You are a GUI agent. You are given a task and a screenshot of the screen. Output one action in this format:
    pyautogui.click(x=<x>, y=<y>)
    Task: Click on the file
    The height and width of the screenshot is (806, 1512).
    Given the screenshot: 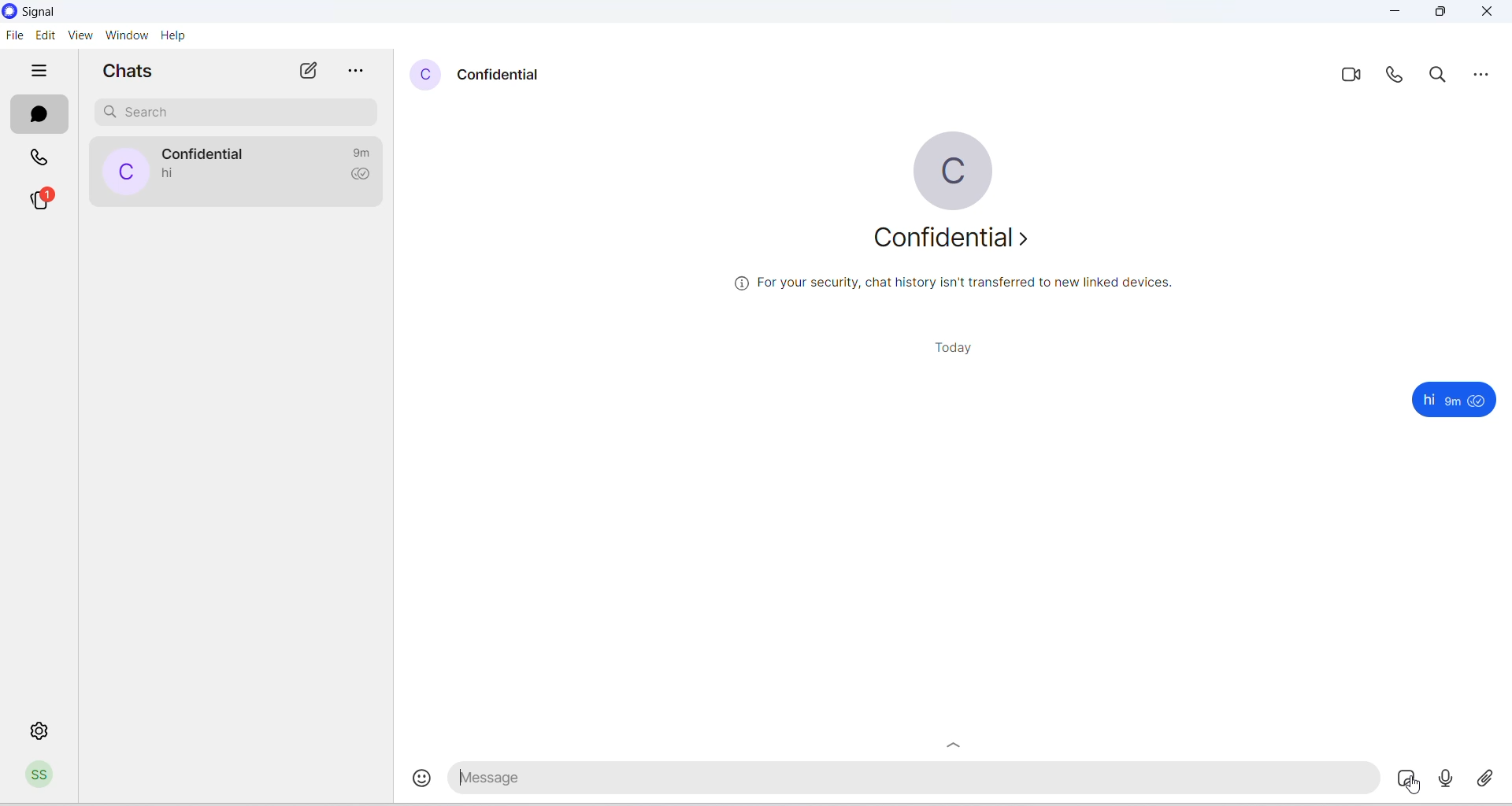 What is the action you would take?
    pyautogui.click(x=14, y=39)
    